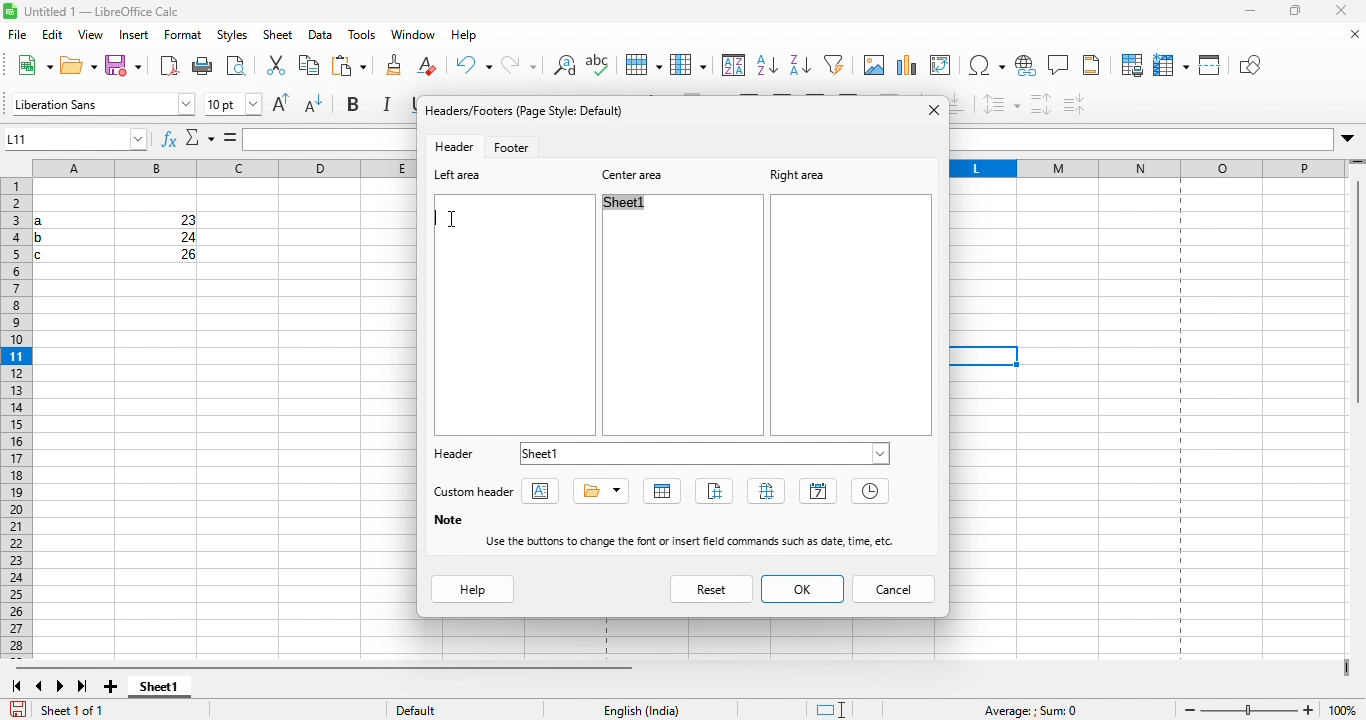 The height and width of the screenshot is (720, 1366). What do you see at coordinates (276, 67) in the screenshot?
I see `copy` at bounding box center [276, 67].